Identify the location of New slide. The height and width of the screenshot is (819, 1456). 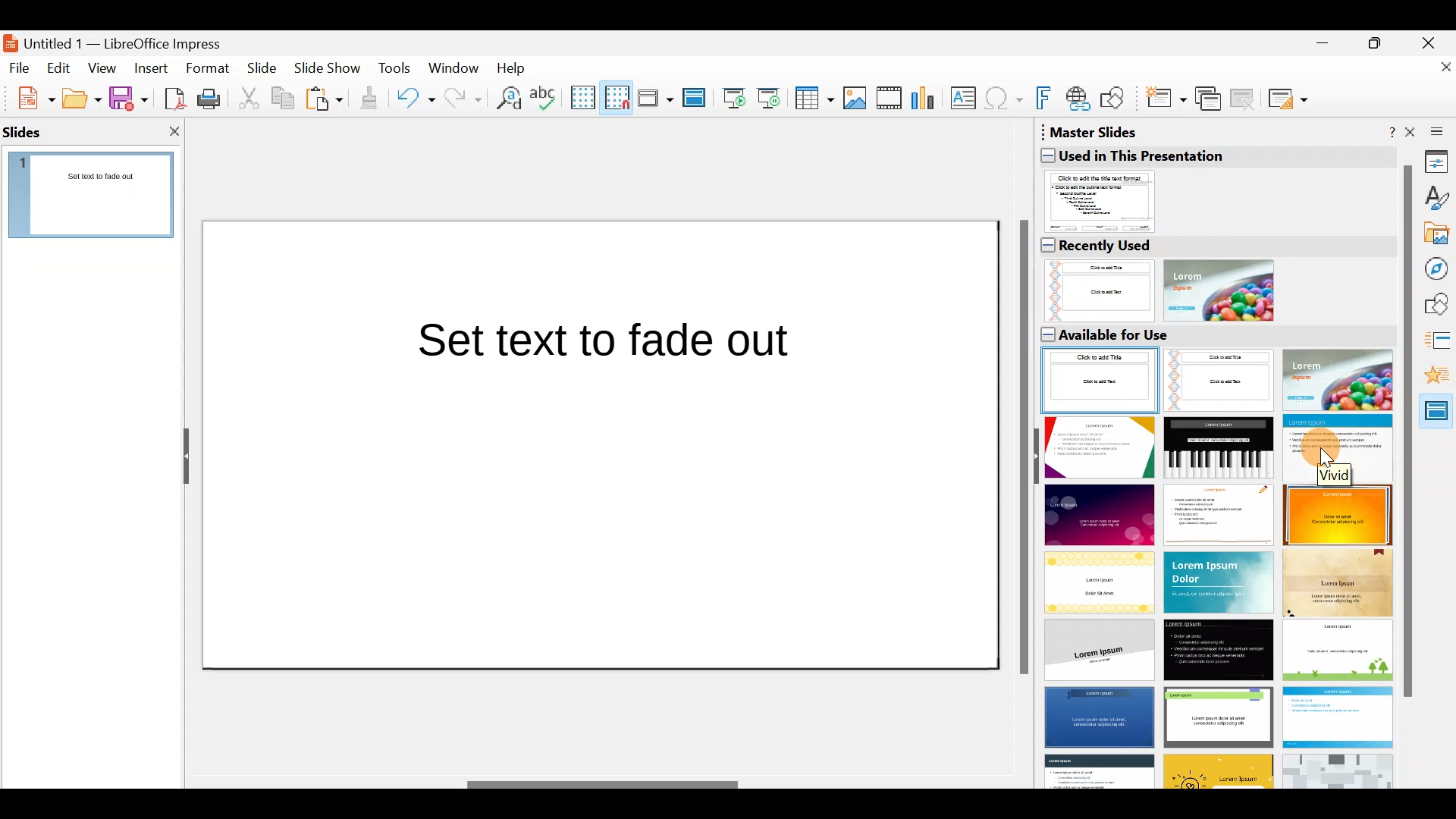
(1165, 102).